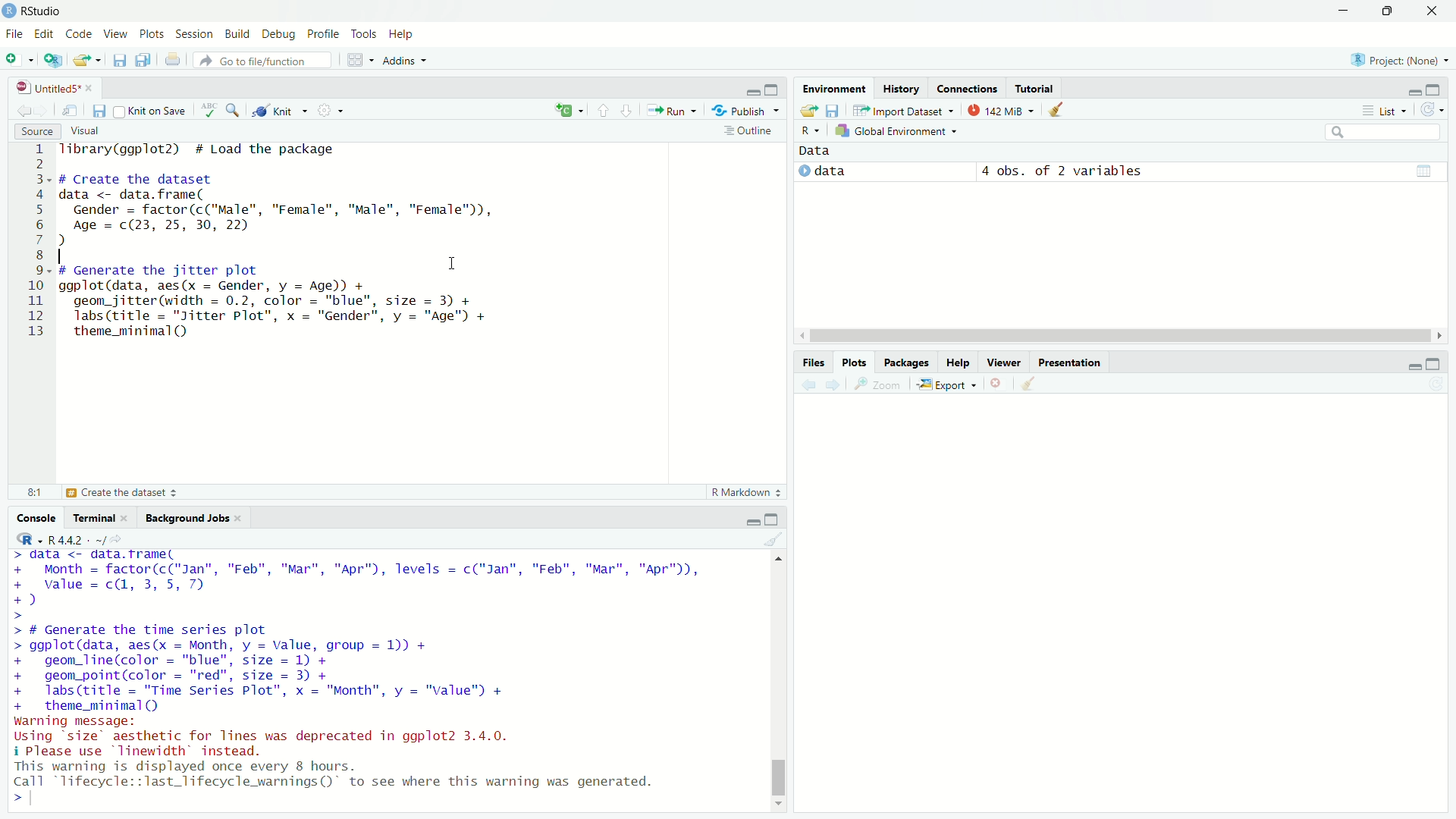 This screenshot has height=819, width=1456. Describe the element at coordinates (243, 517) in the screenshot. I see `close` at that location.